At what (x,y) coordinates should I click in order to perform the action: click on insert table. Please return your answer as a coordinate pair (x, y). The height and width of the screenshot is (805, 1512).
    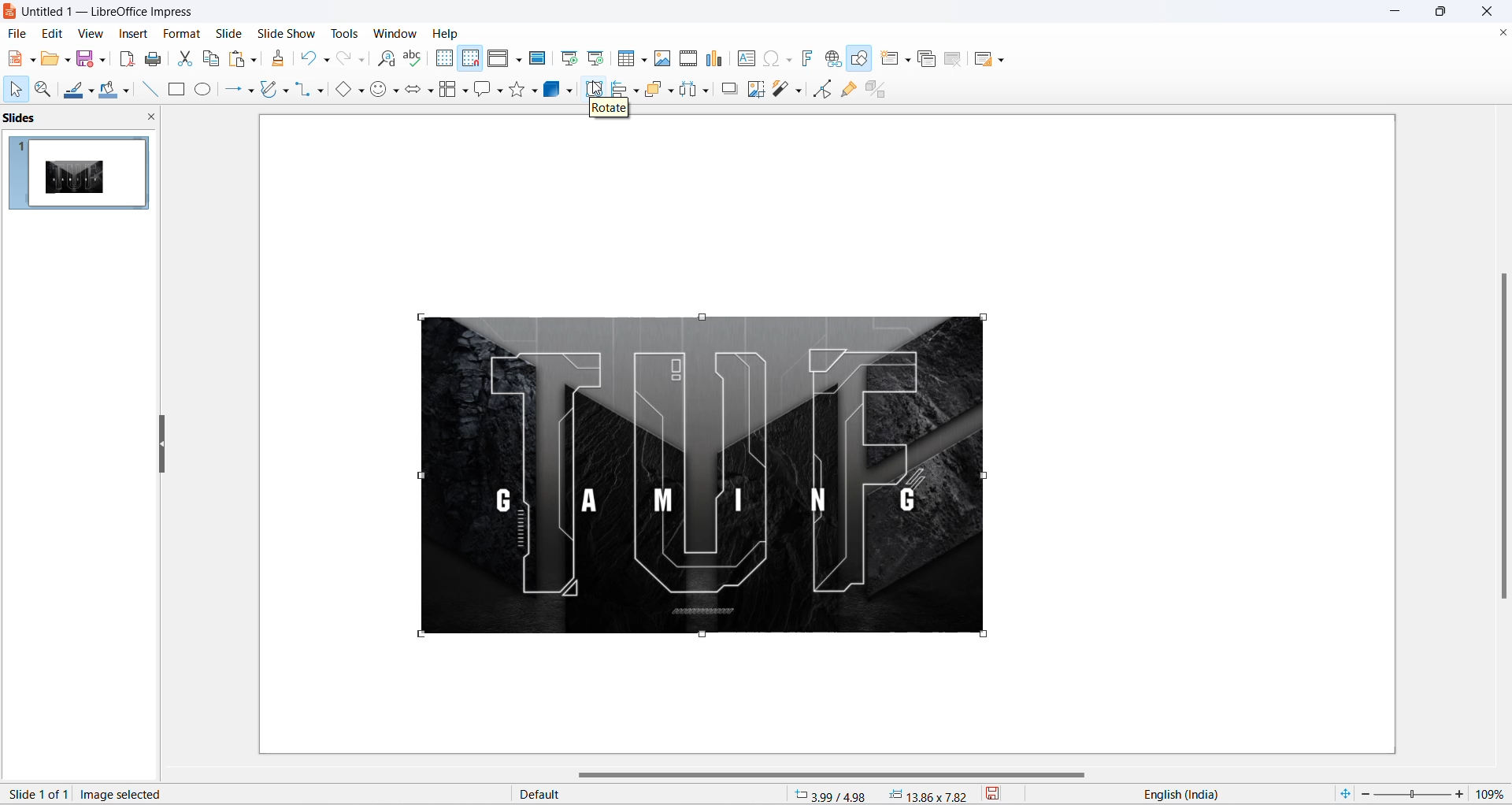
    Looking at the image, I should click on (627, 59).